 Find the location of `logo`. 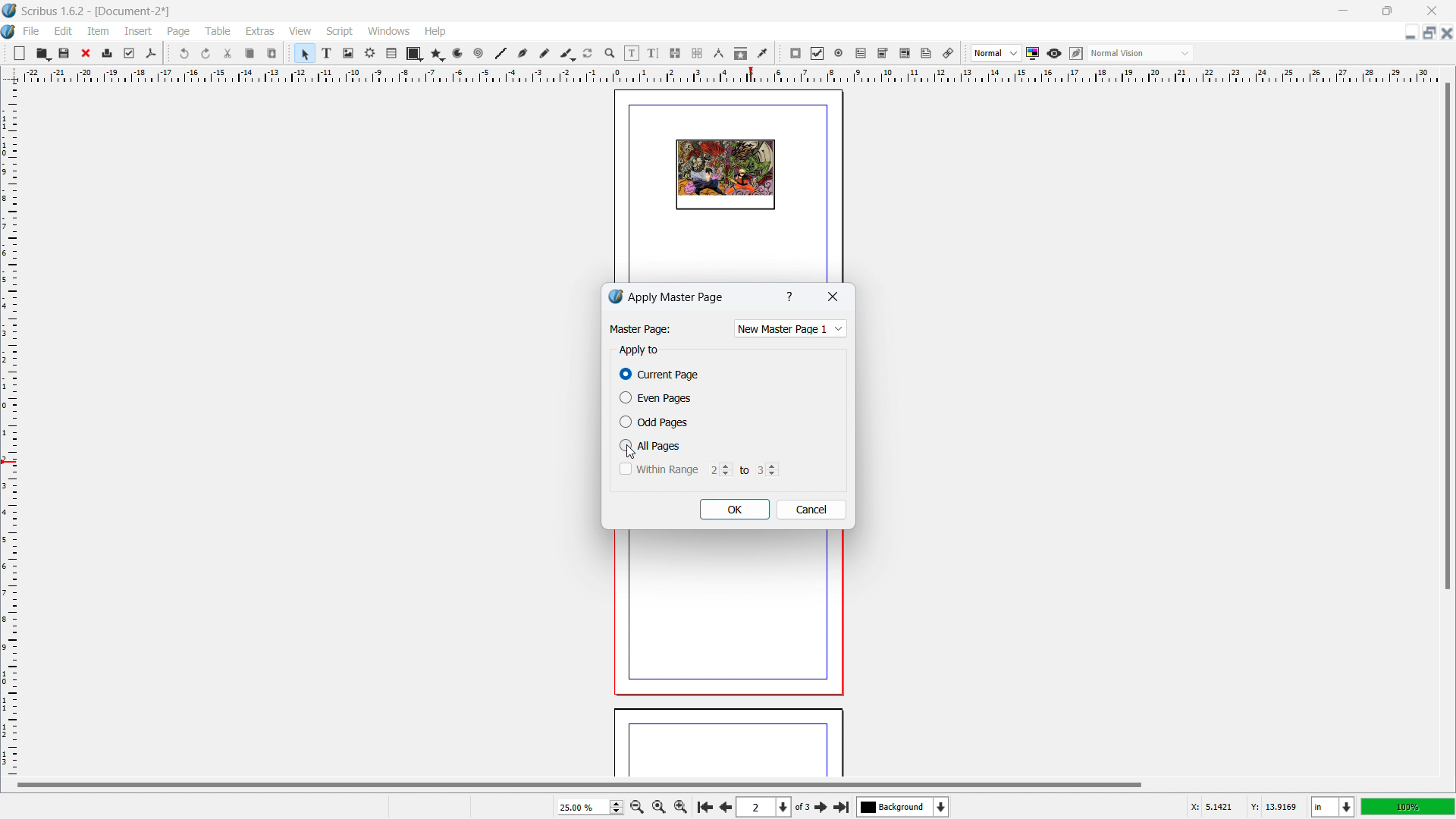

logo is located at coordinates (9, 33).